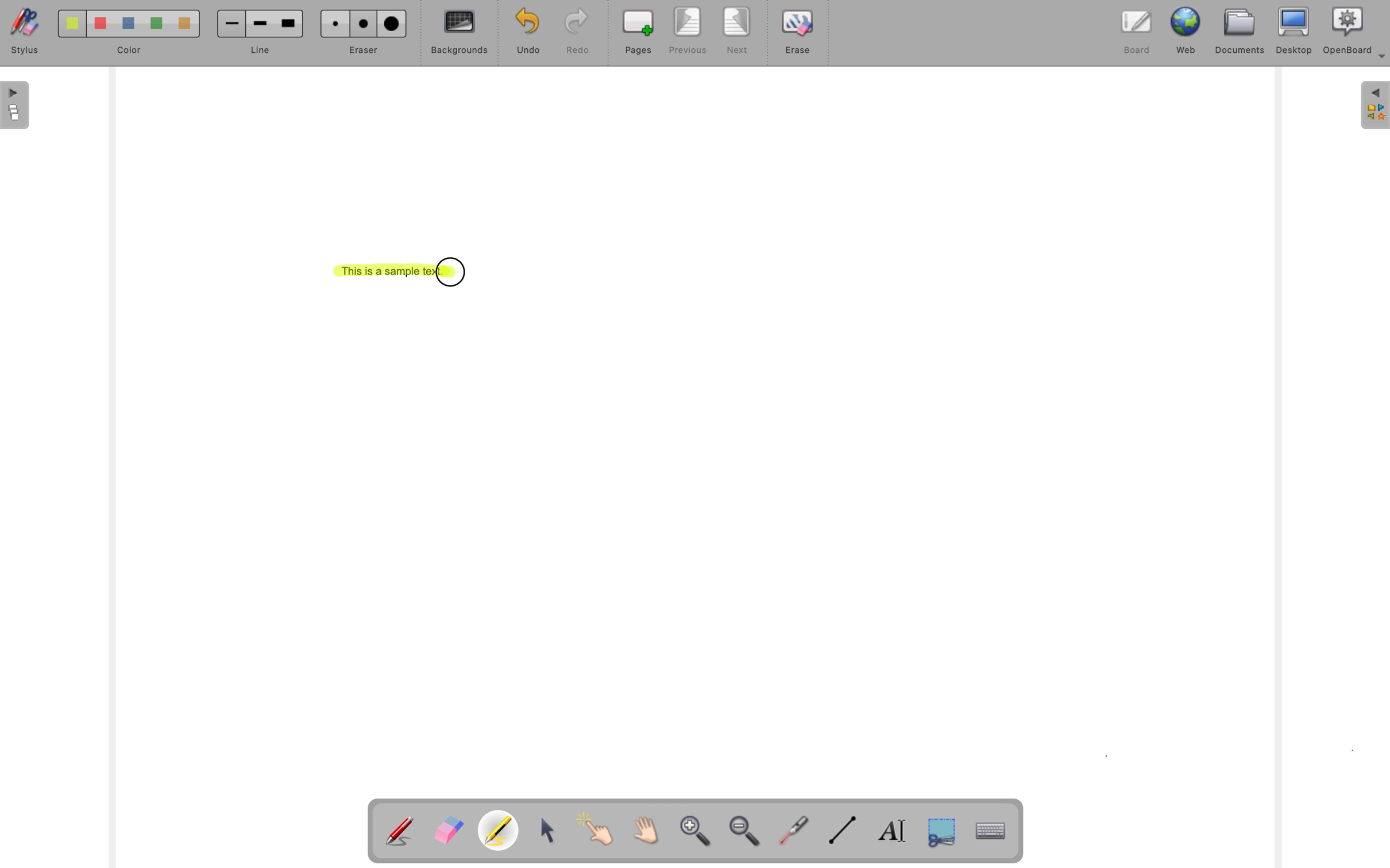  I want to click on Scroll page, so click(648, 827).